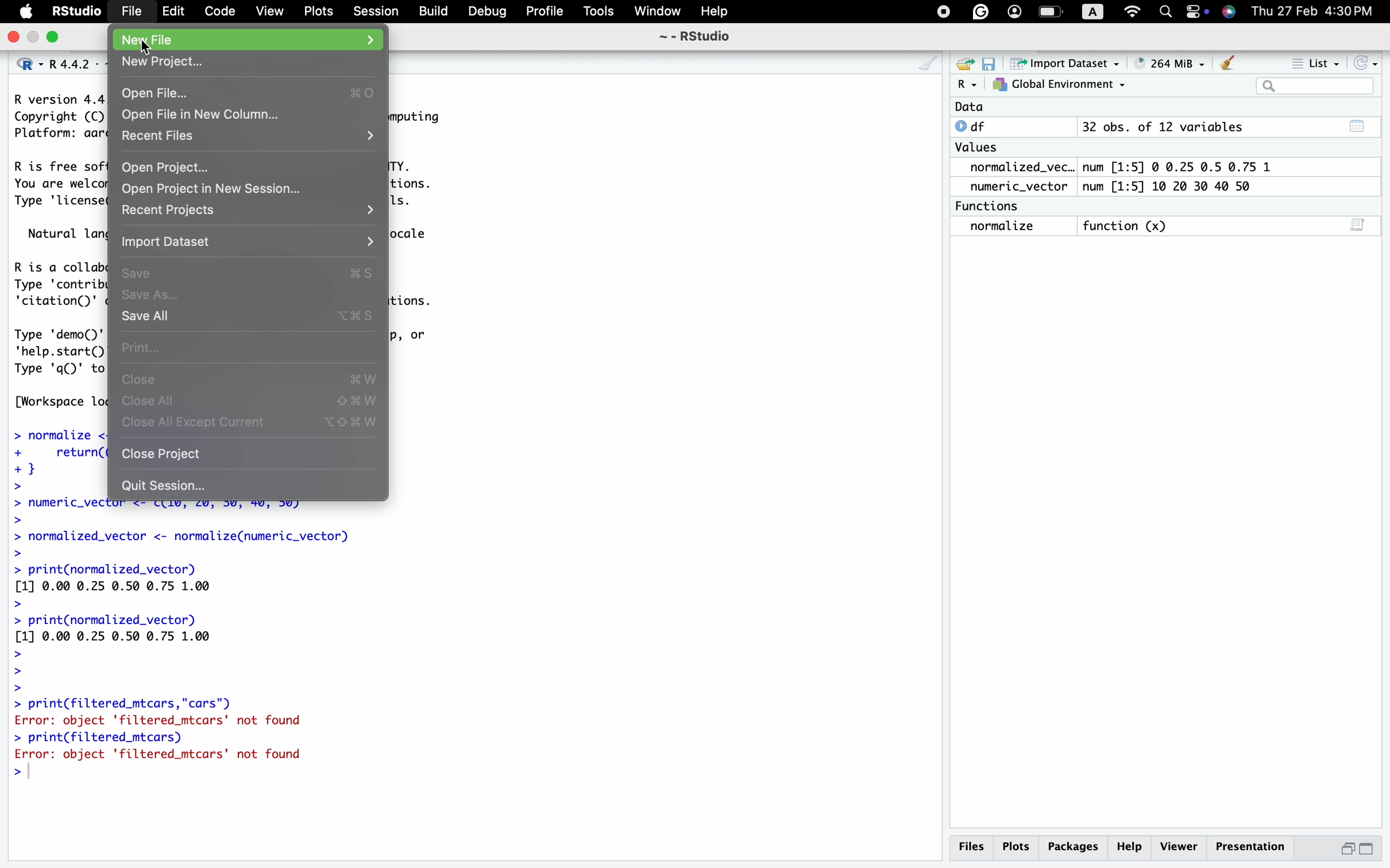 The height and width of the screenshot is (868, 1390). Describe the element at coordinates (214, 543) in the screenshot. I see `normalized_vector <- normalize(numeric_vector)` at that location.